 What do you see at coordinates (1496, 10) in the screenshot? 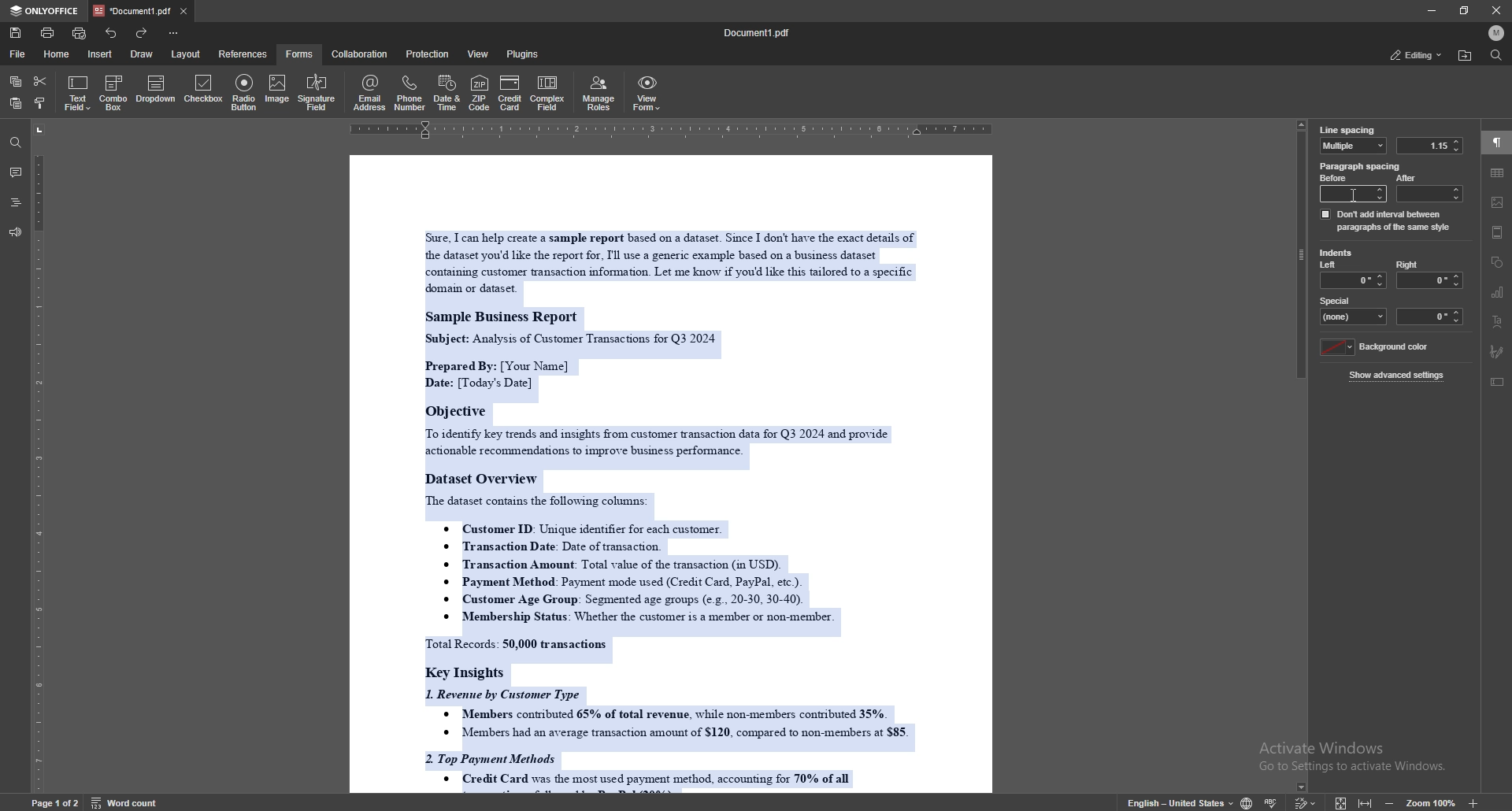
I see `close` at bounding box center [1496, 10].